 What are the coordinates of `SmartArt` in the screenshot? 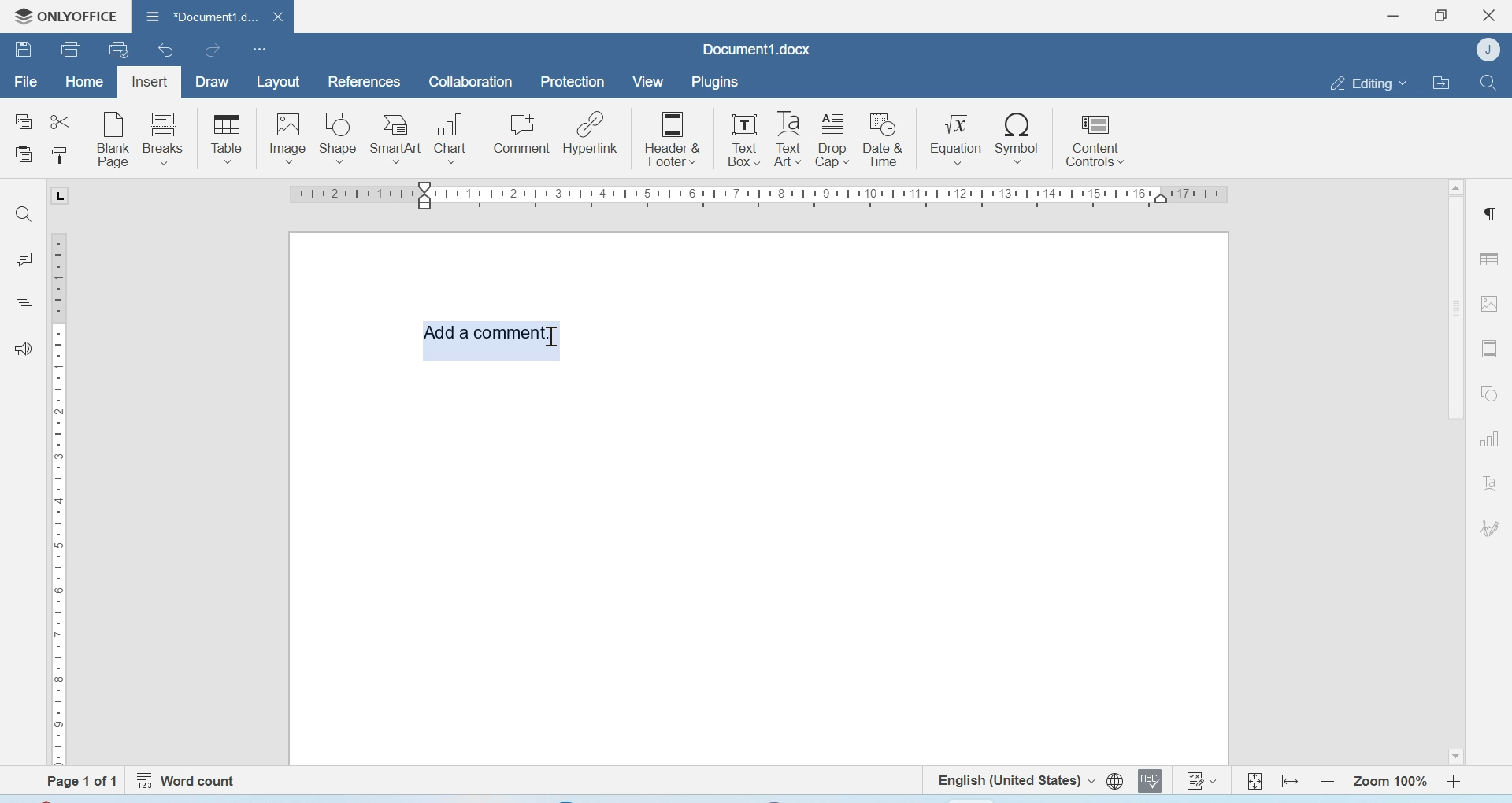 It's located at (396, 139).